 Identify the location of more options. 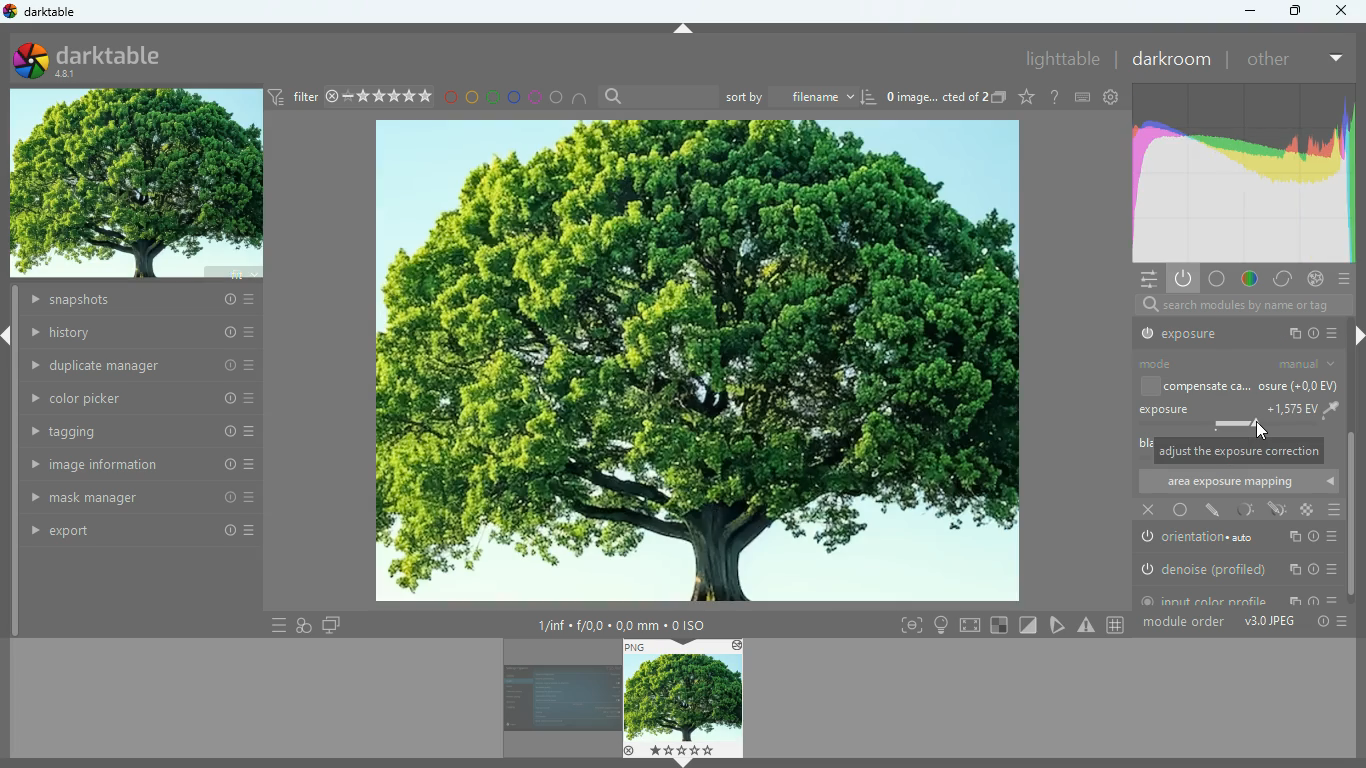
(1350, 621).